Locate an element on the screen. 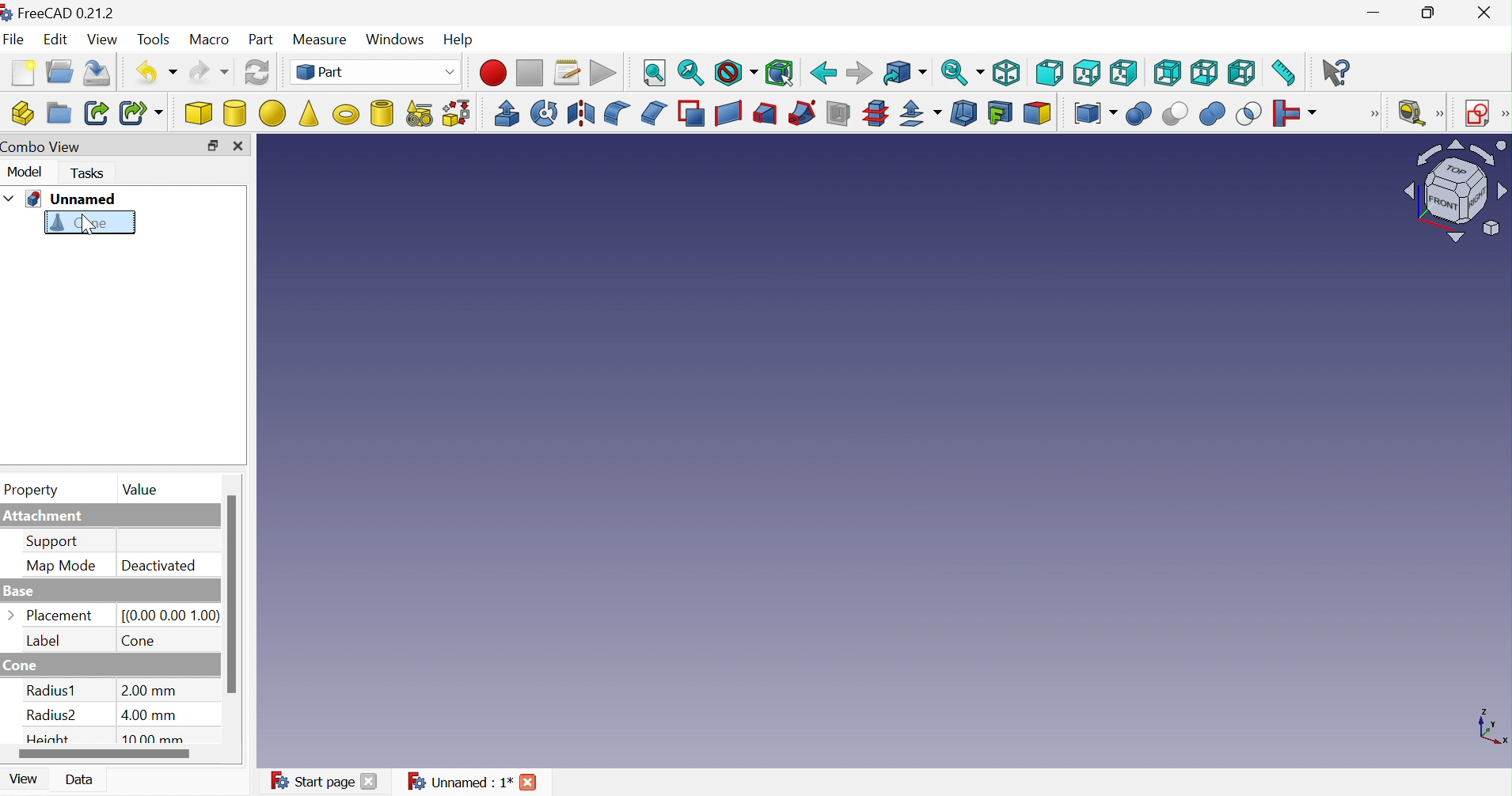 This screenshot has width=1512, height=796. Minimize is located at coordinates (1374, 13).